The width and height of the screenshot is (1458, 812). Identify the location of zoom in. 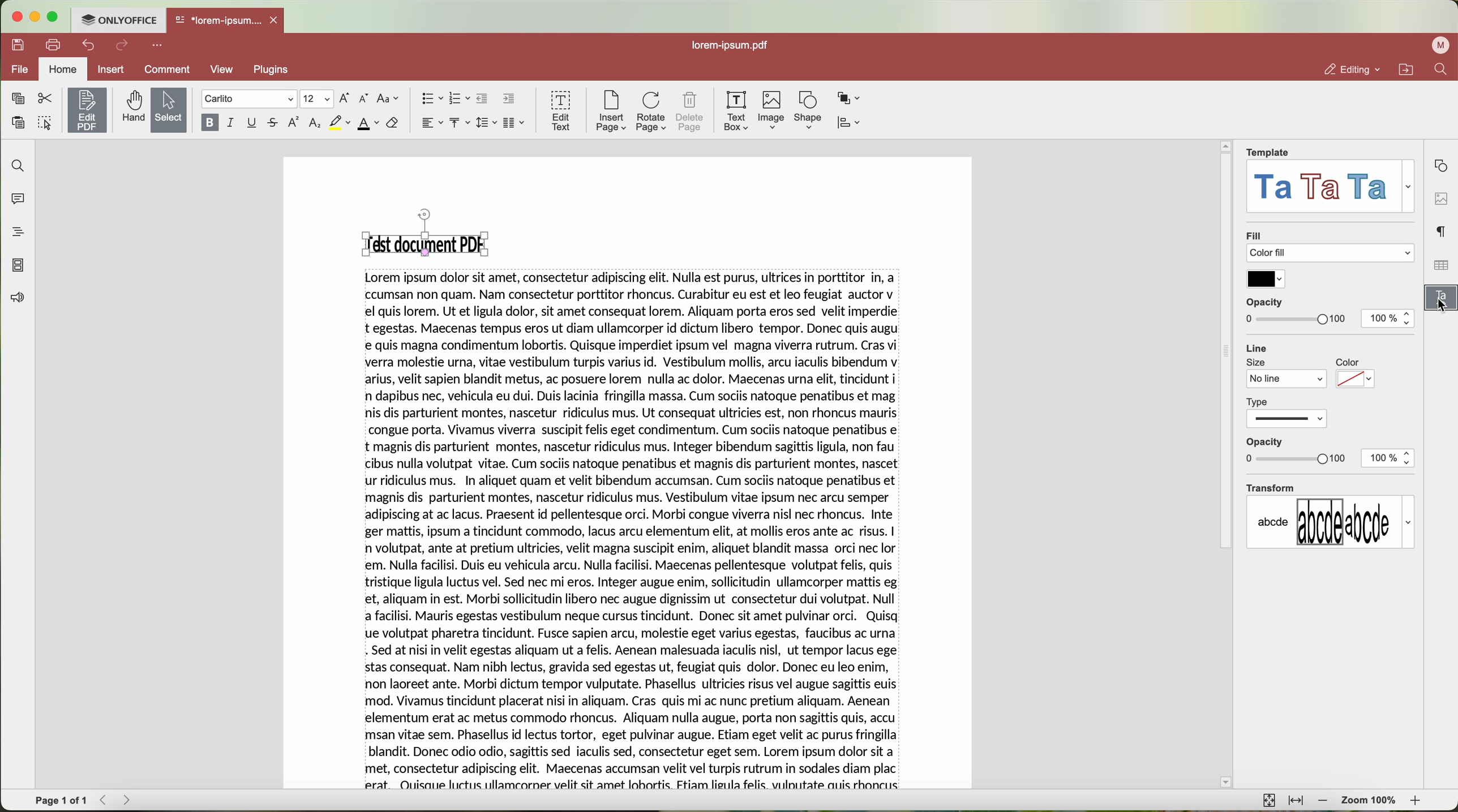
(1418, 800).